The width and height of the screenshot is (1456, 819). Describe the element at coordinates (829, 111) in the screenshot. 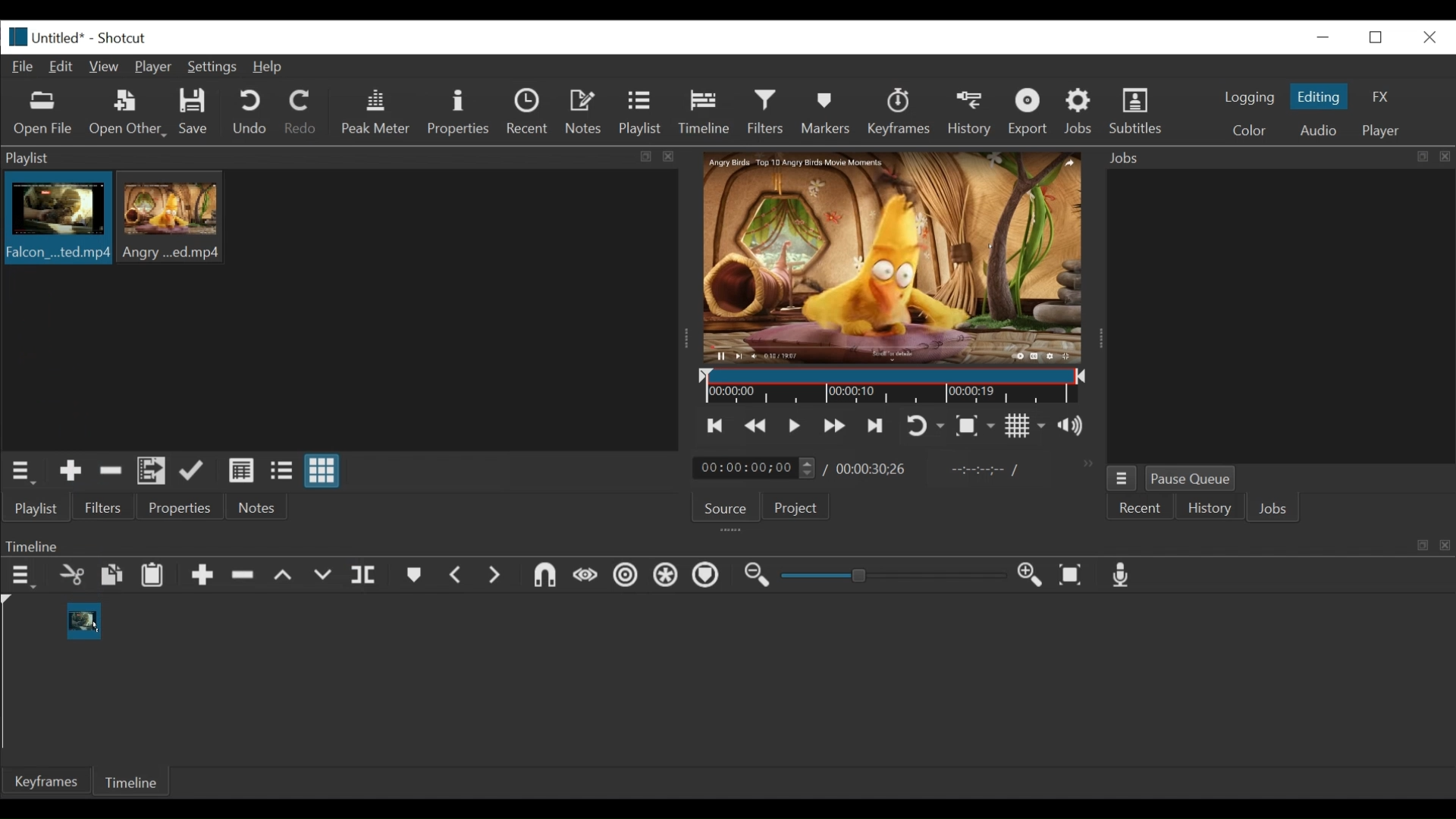

I see `Markers` at that location.